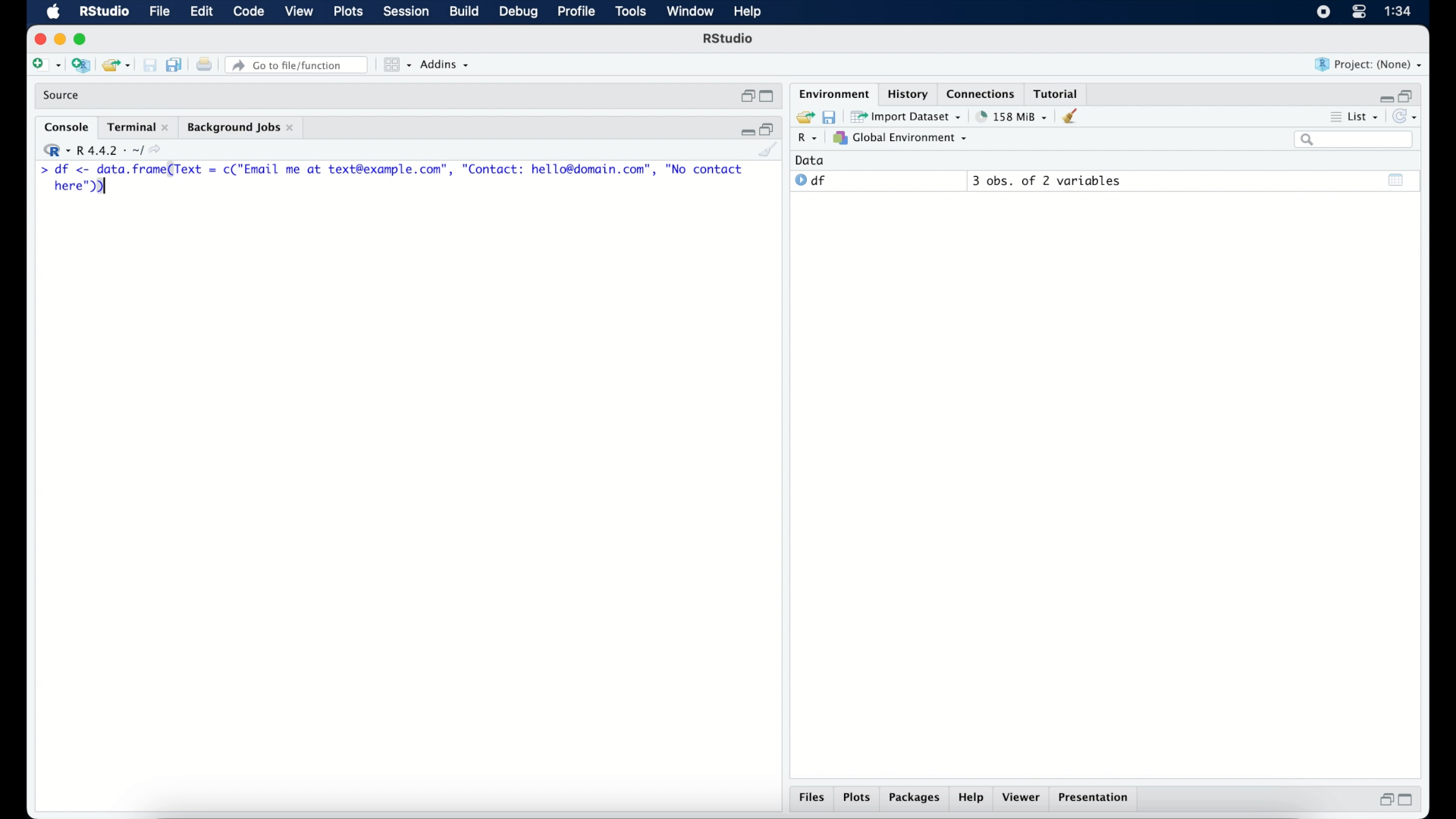 The height and width of the screenshot is (819, 1456). What do you see at coordinates (811, 180) in the screenshot?
I see `df` at bounding box center [811, 180].